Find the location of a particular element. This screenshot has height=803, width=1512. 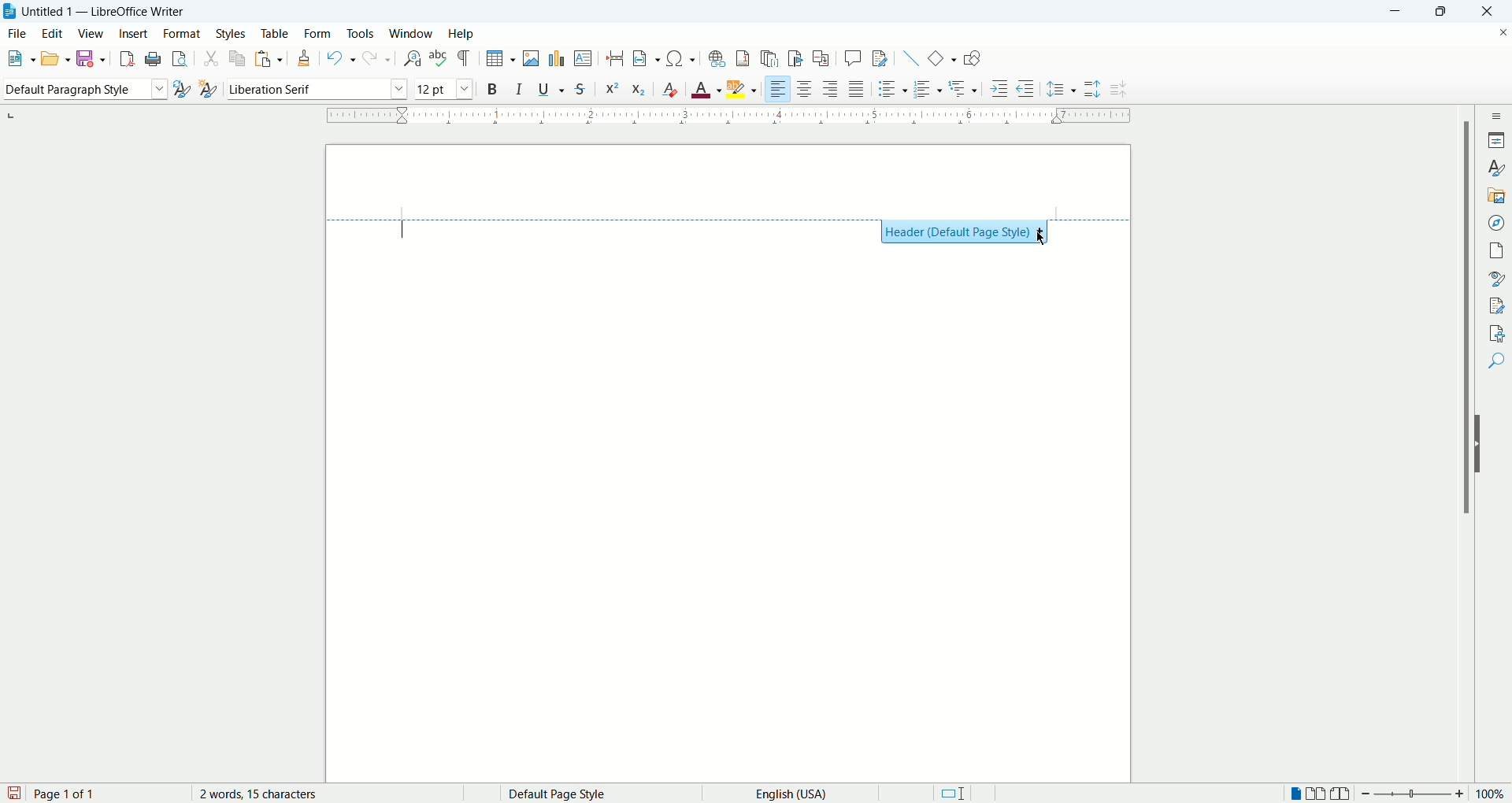

file is located at coordinates (18, 33).